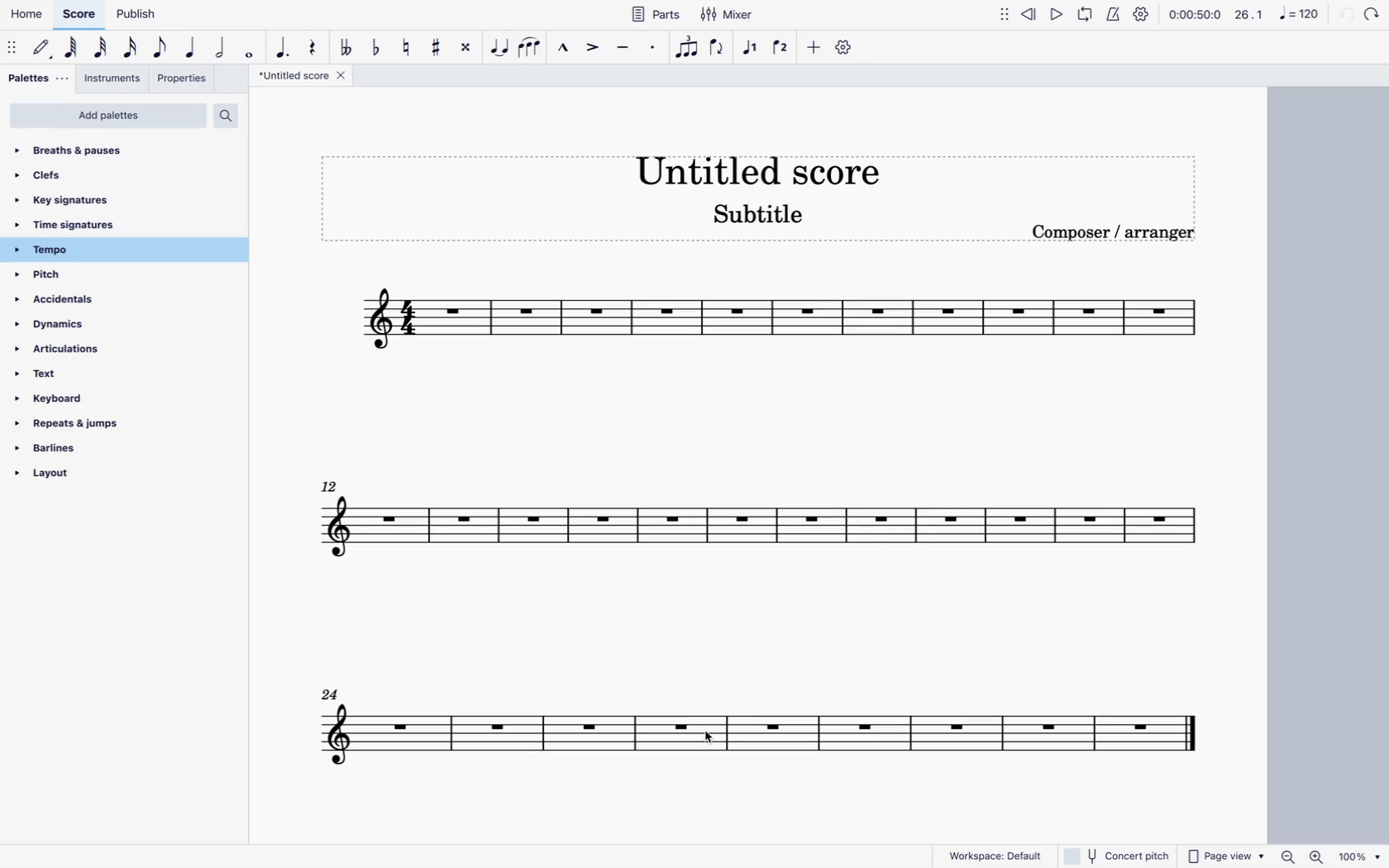  Describe the element at coordinates (316, 48) in the screenshot. I see `rest` at that location.